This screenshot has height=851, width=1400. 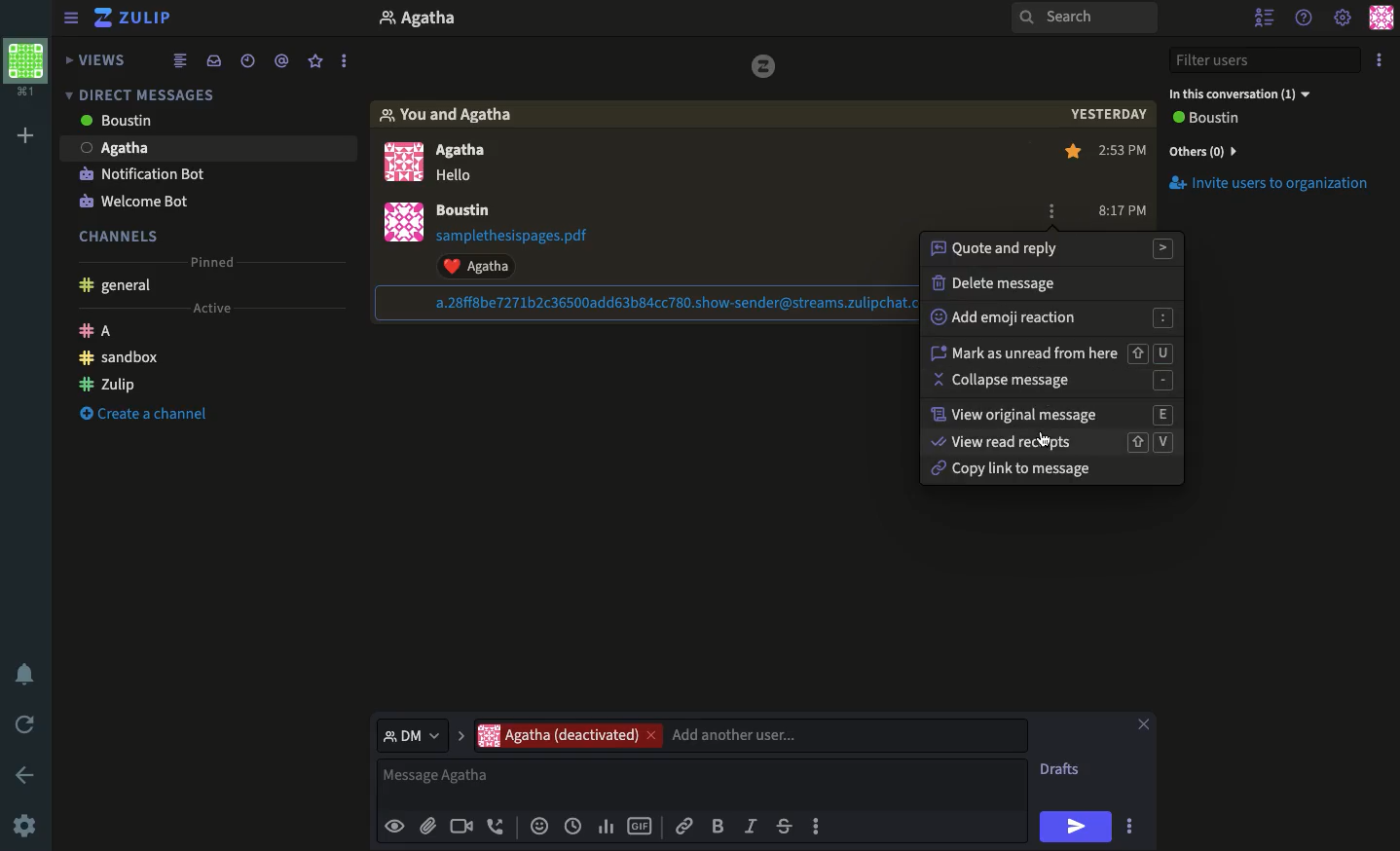 What do you see at coordinates (1383, 17) in the screenshot?
I see `Profile` at bounding box center [1383, 17].